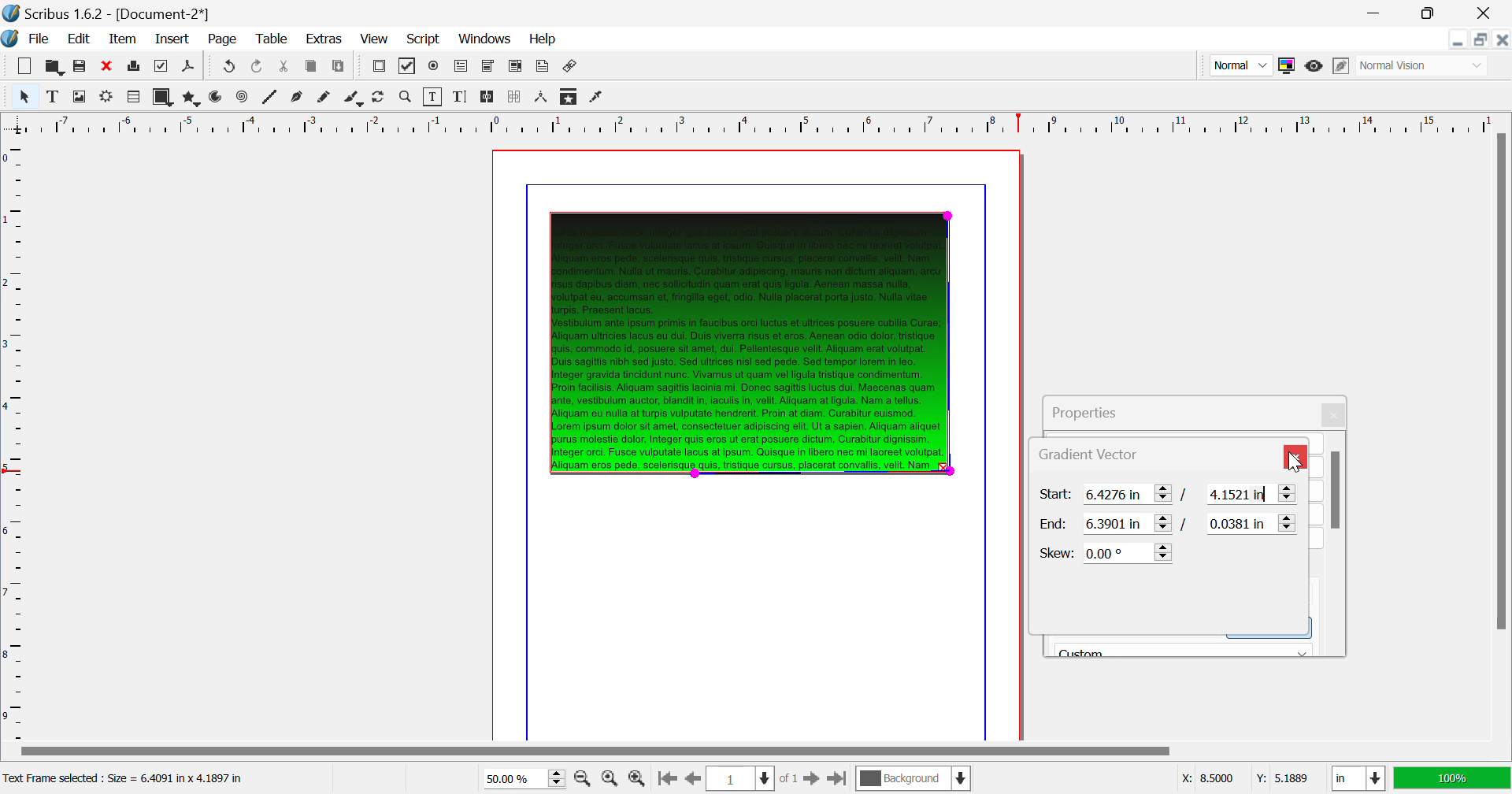 The width and height of the screenshot is (1512, 794). I want to click on Cursor on Close, so click(1295, 460).